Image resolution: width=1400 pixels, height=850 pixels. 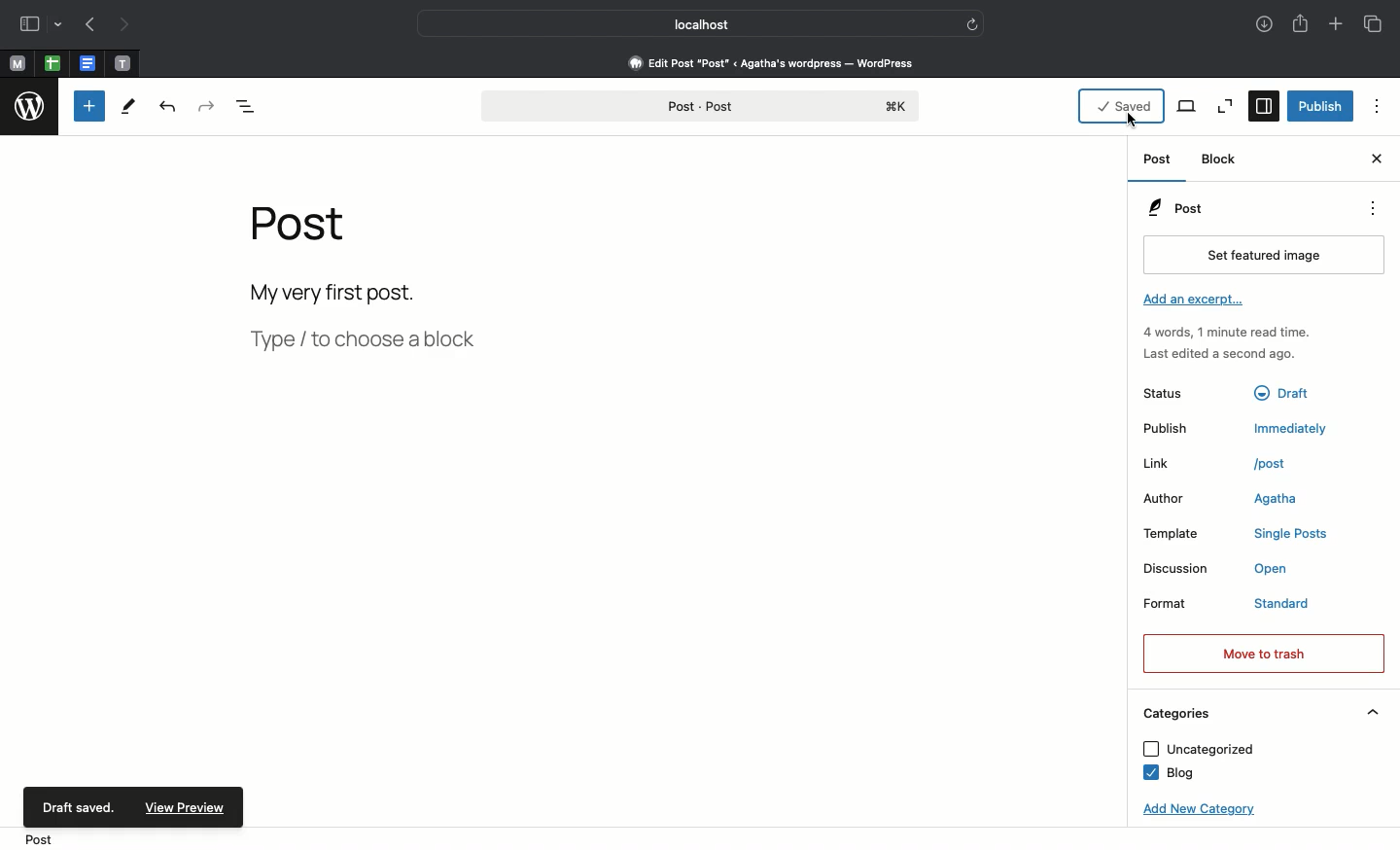 I want to click on Draft saved, so click(x=79, y=805).